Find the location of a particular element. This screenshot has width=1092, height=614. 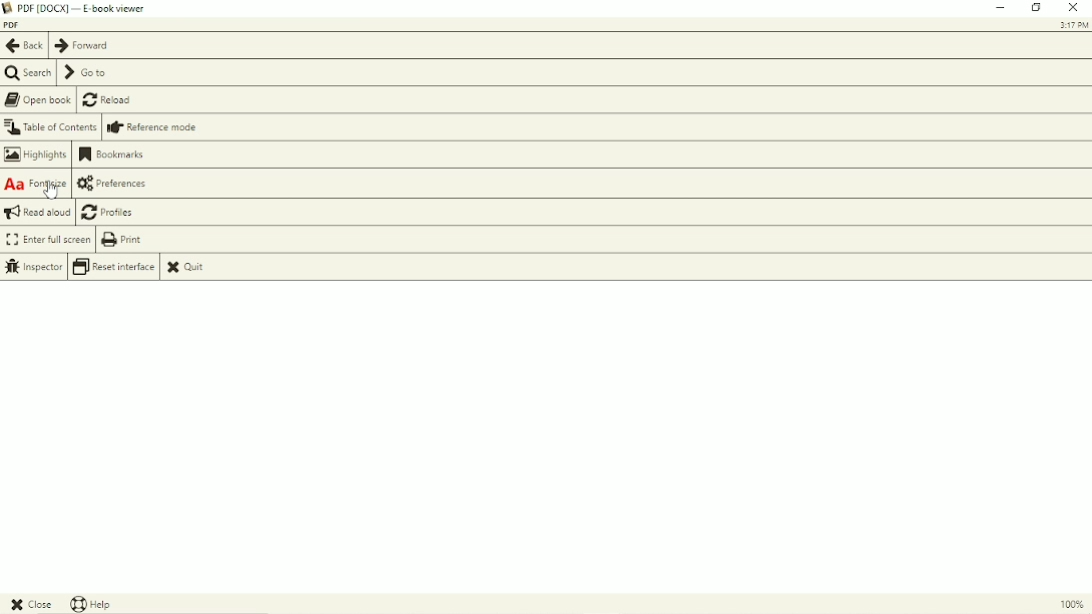

Table of Contents is located at coordinates (51, 129).